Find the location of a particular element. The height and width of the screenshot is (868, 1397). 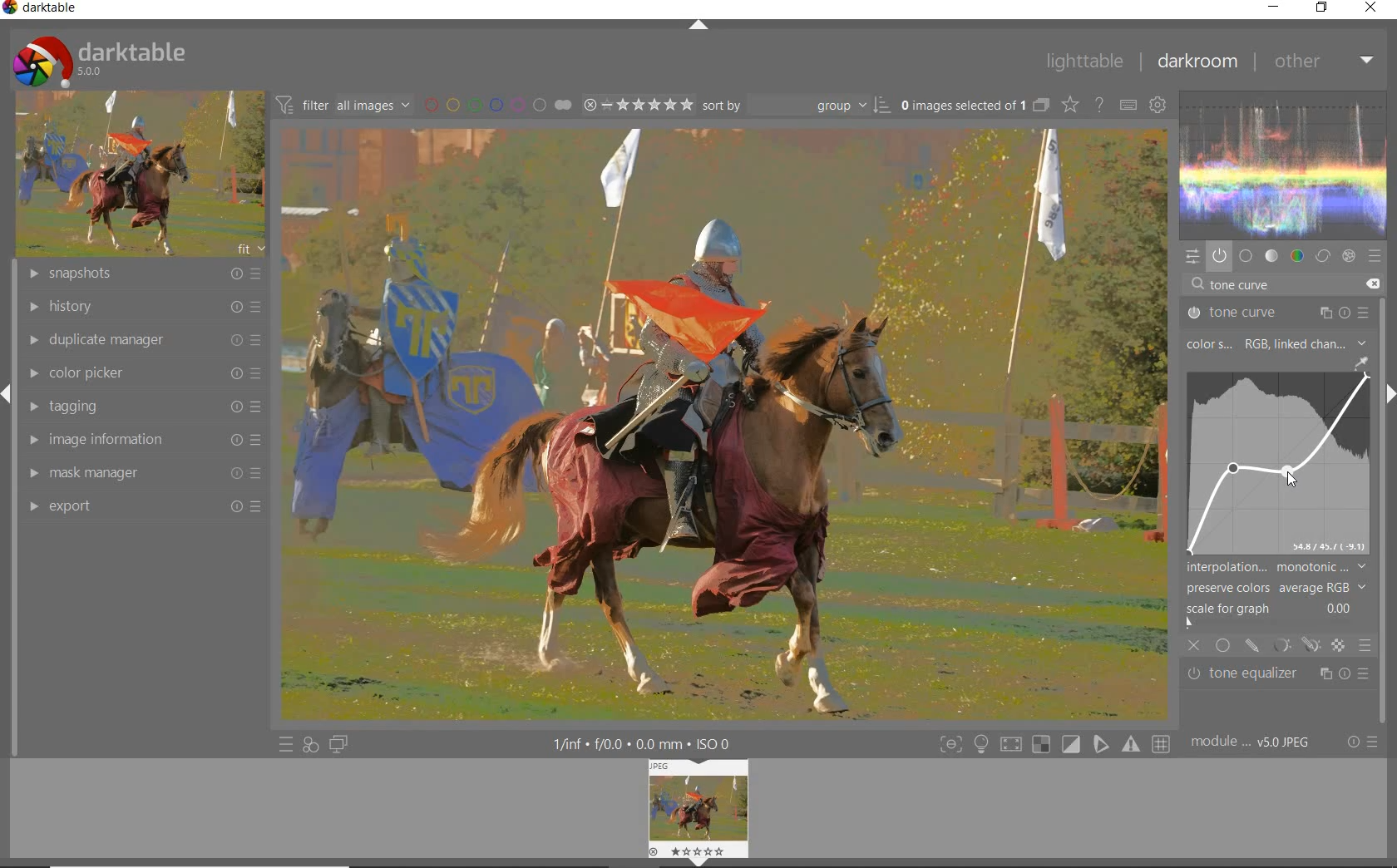

lighttable is located at coordinates (1084, 62).